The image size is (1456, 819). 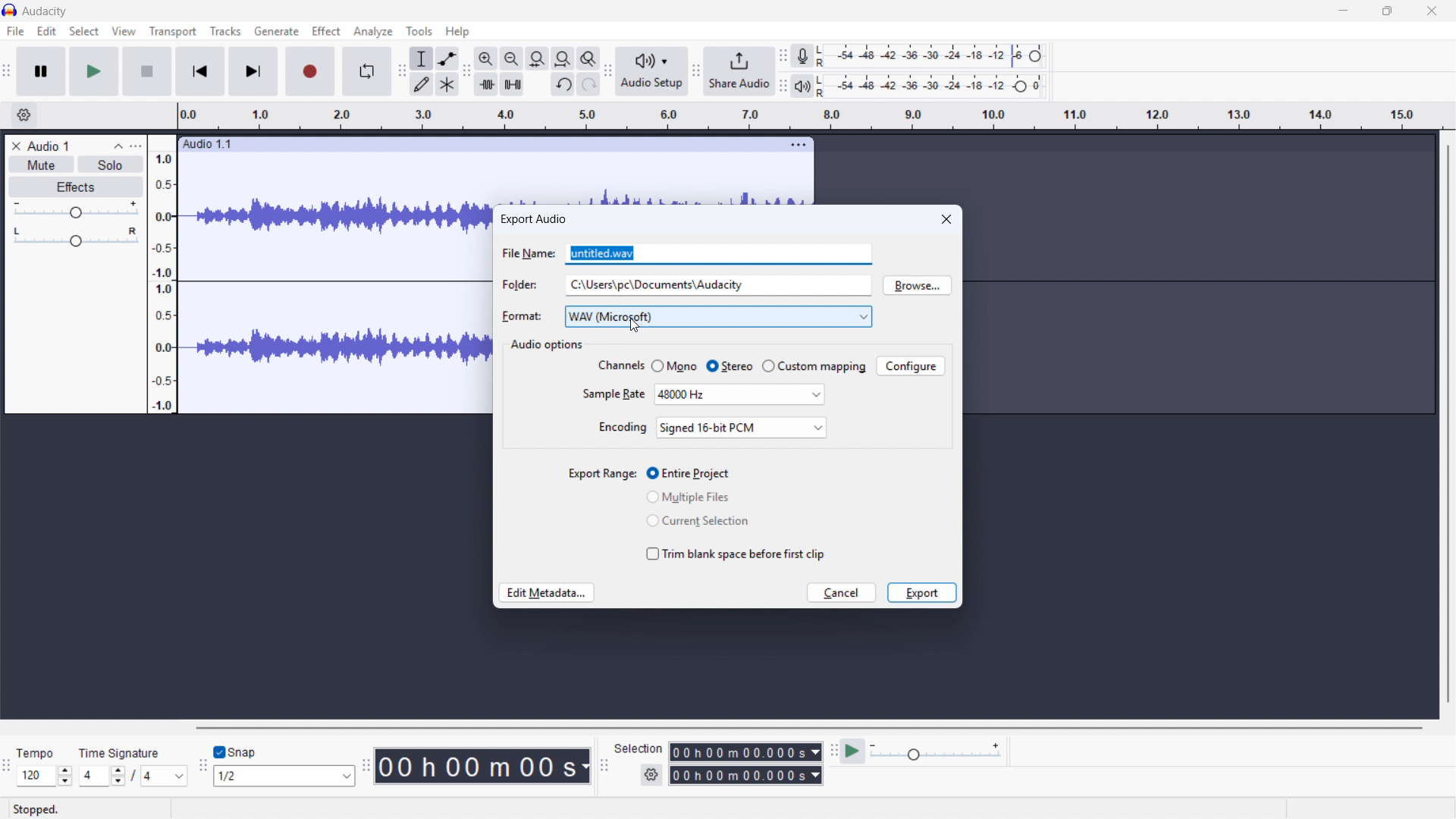 I want to click on Timeline , so click(x=811, y=116).